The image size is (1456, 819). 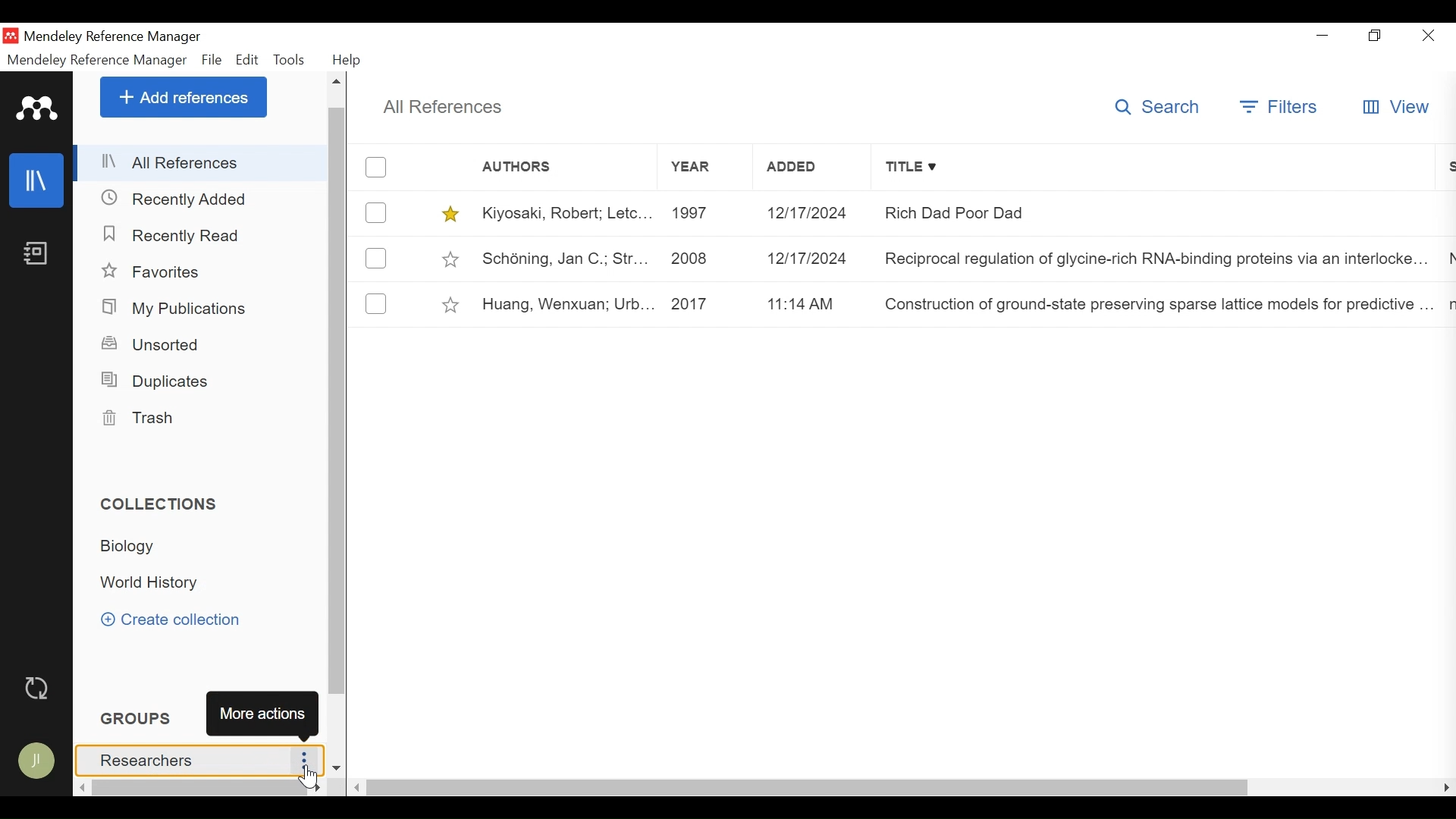 What do you see at coordinates (137, 548) in the screenshot?
I see `Biology` at bounding box center [137, 548].